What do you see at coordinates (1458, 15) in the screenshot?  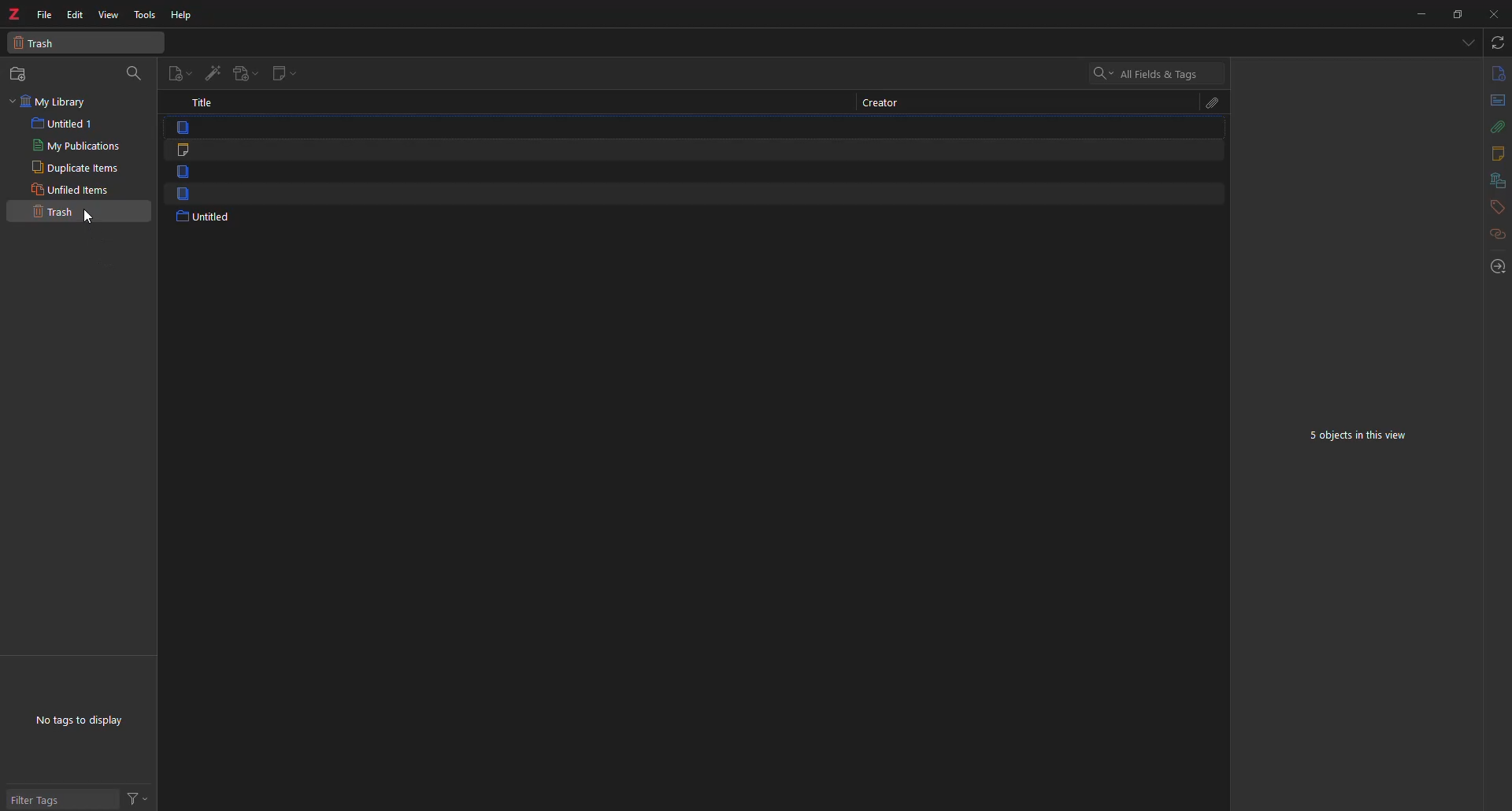 I see `maximize` at bounding box center [1458, 15].